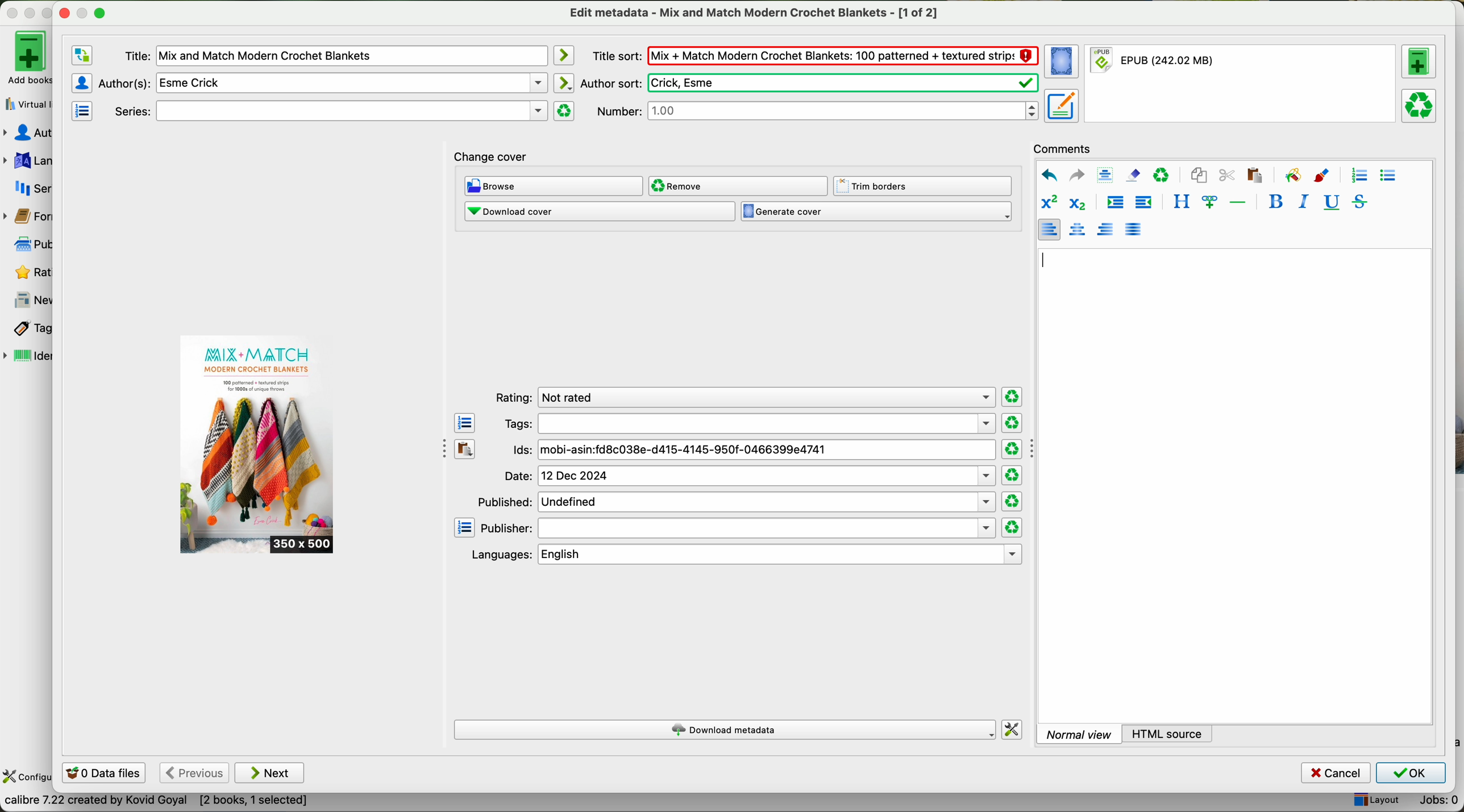 This screenshot has width=1464, height=812. What do you see at coordinates (563, 82) in the screenshot?
I see `automatically create de author sort` at bounding box center [563, 82].